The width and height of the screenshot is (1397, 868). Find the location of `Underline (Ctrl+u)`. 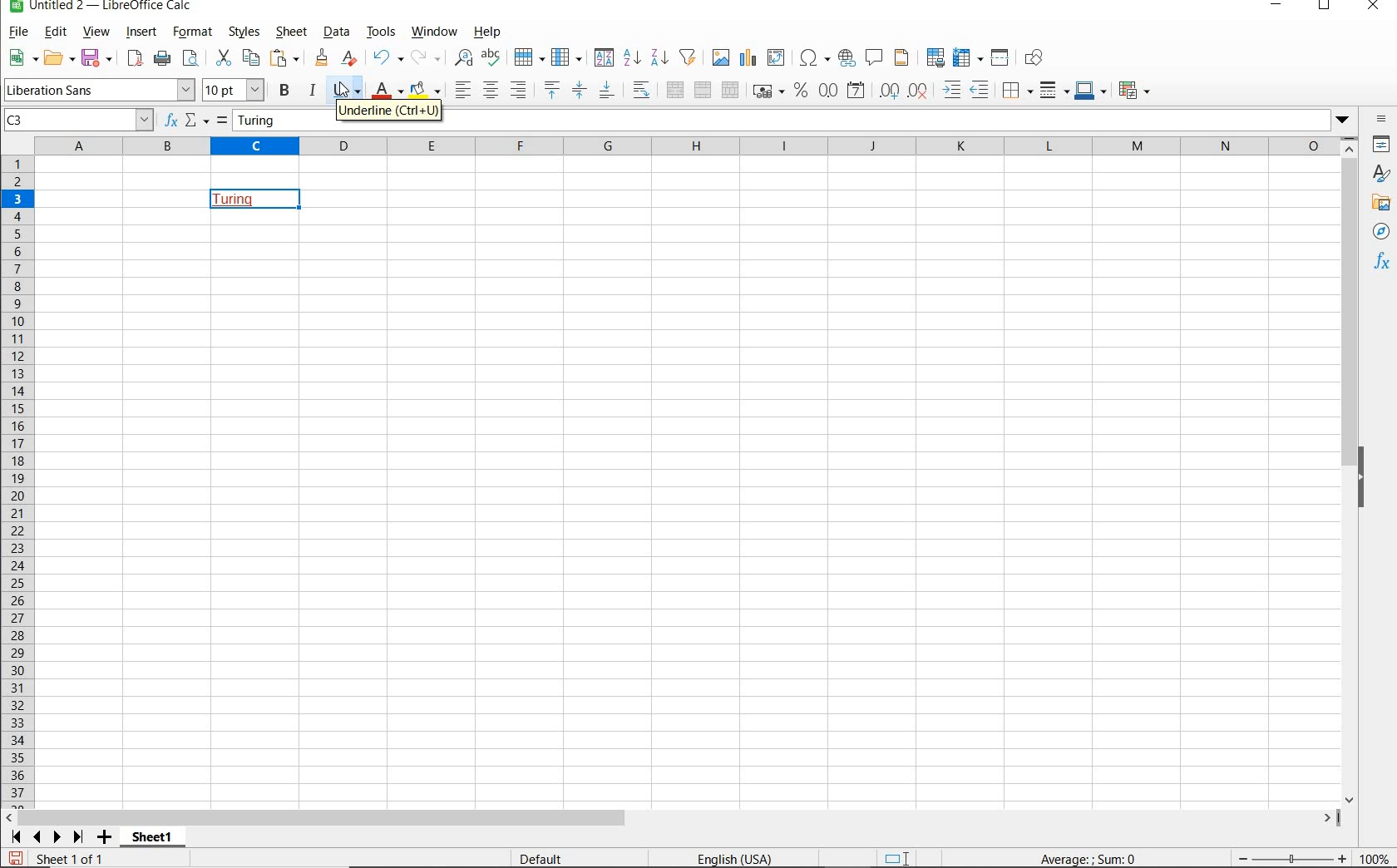

Underline (Ctrl+u) is located at coordinates (389, 113).